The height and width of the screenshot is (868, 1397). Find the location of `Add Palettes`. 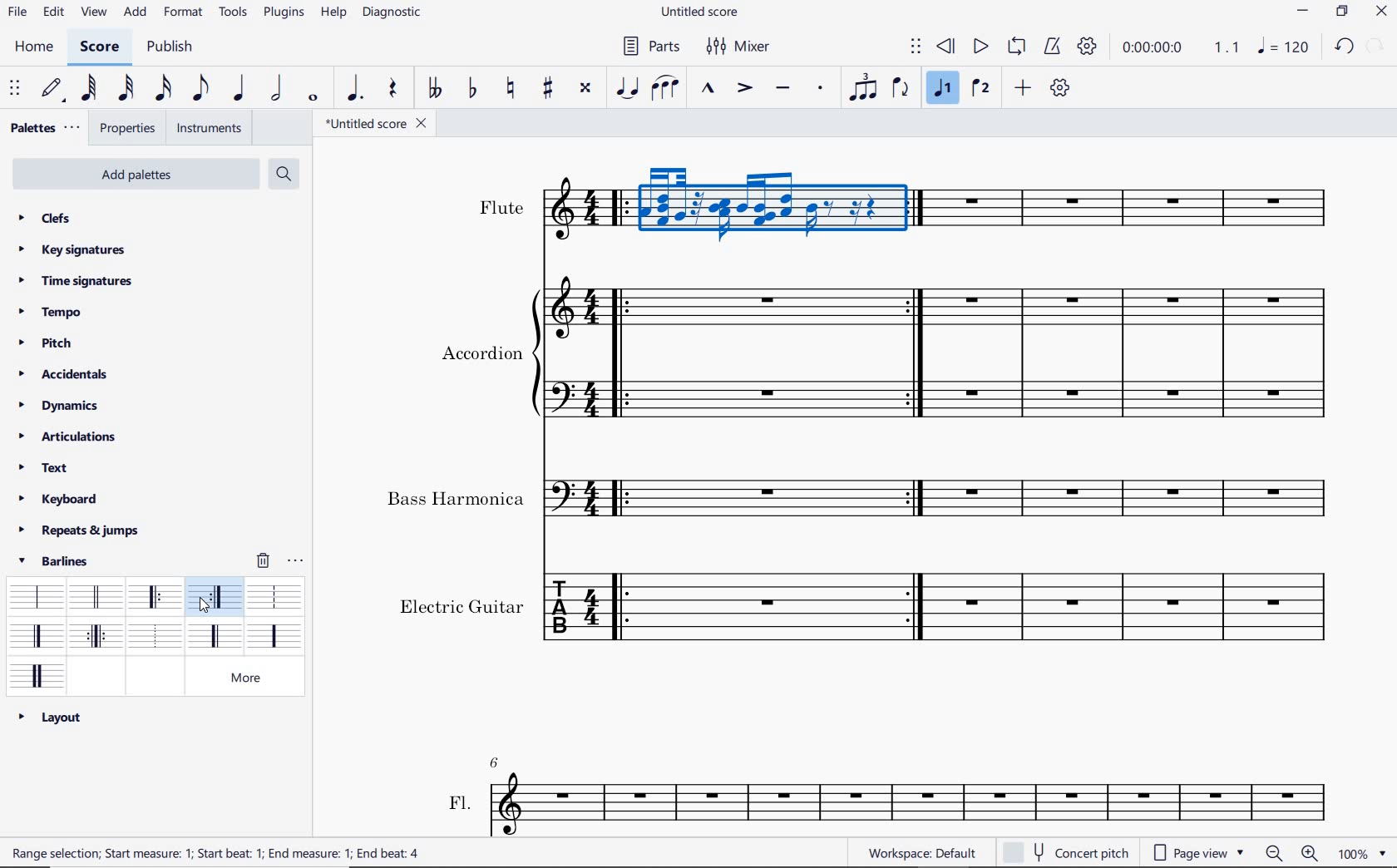

Add Palettes is located at coordinates (134, 175).